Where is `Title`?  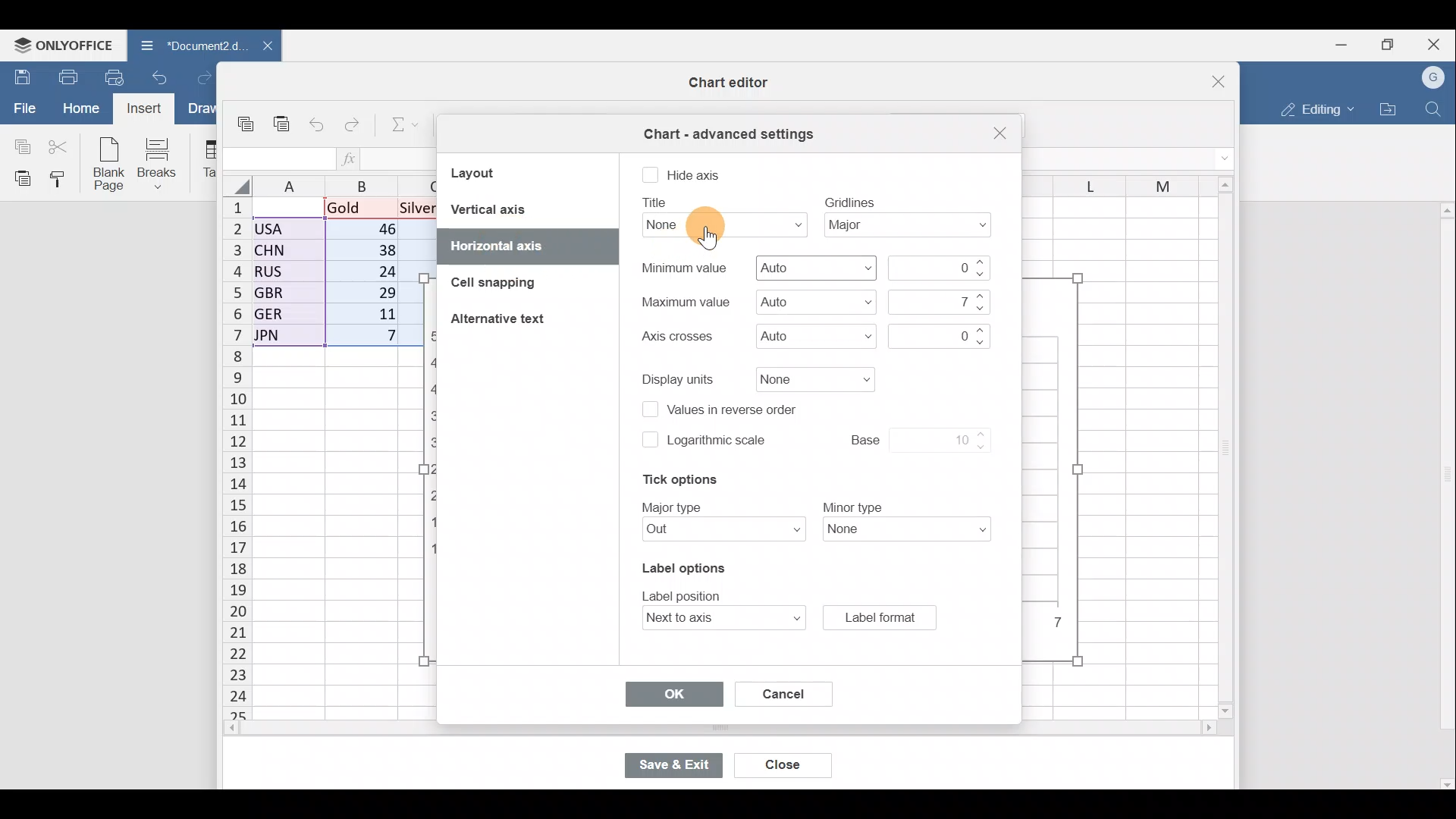
Title is located at coordinates (720, 224).